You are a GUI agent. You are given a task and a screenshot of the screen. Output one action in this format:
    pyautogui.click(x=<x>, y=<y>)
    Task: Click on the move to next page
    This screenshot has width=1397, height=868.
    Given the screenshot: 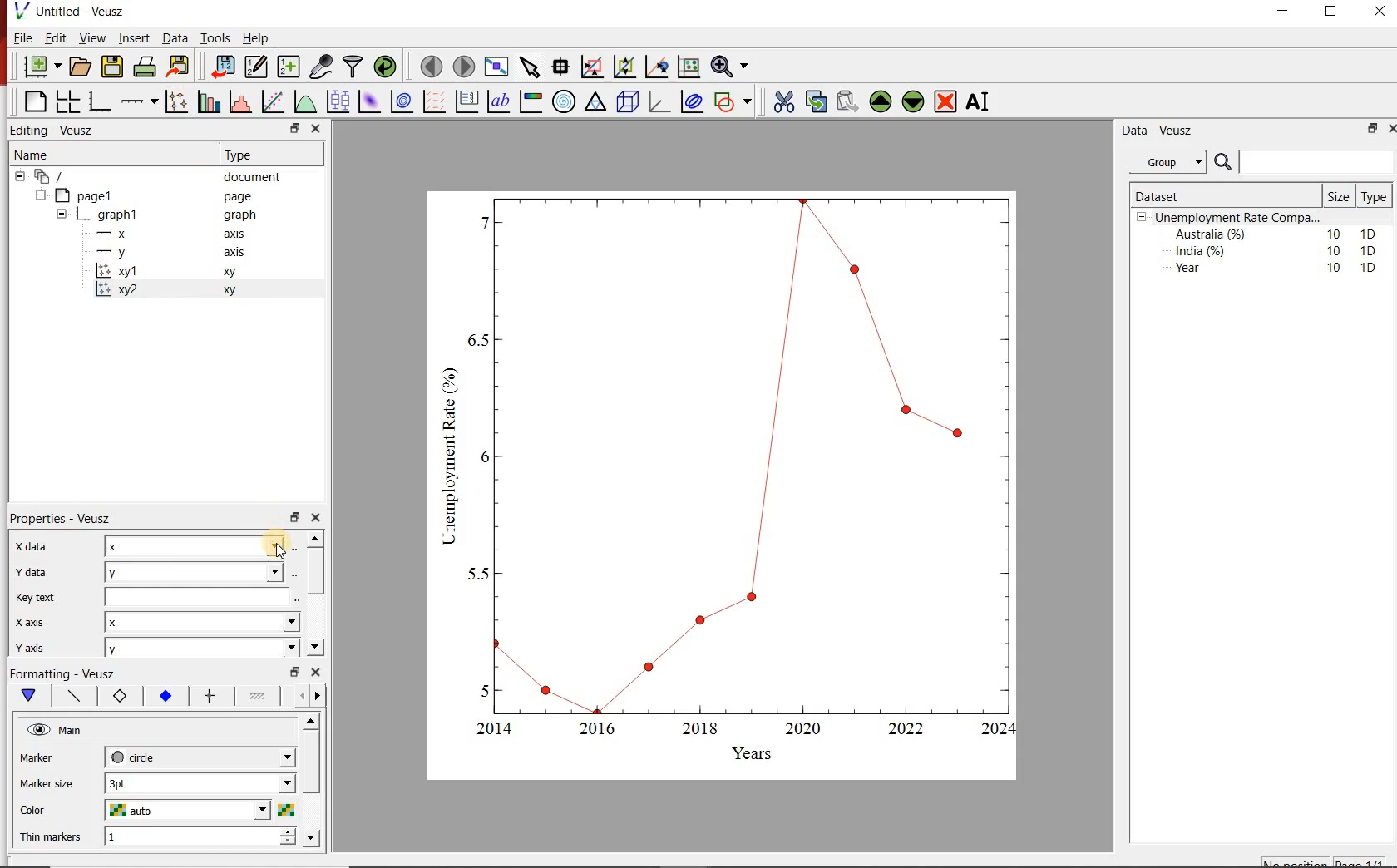 What is the action you would take?
    pyautogui.click(x=465, y=67)
    